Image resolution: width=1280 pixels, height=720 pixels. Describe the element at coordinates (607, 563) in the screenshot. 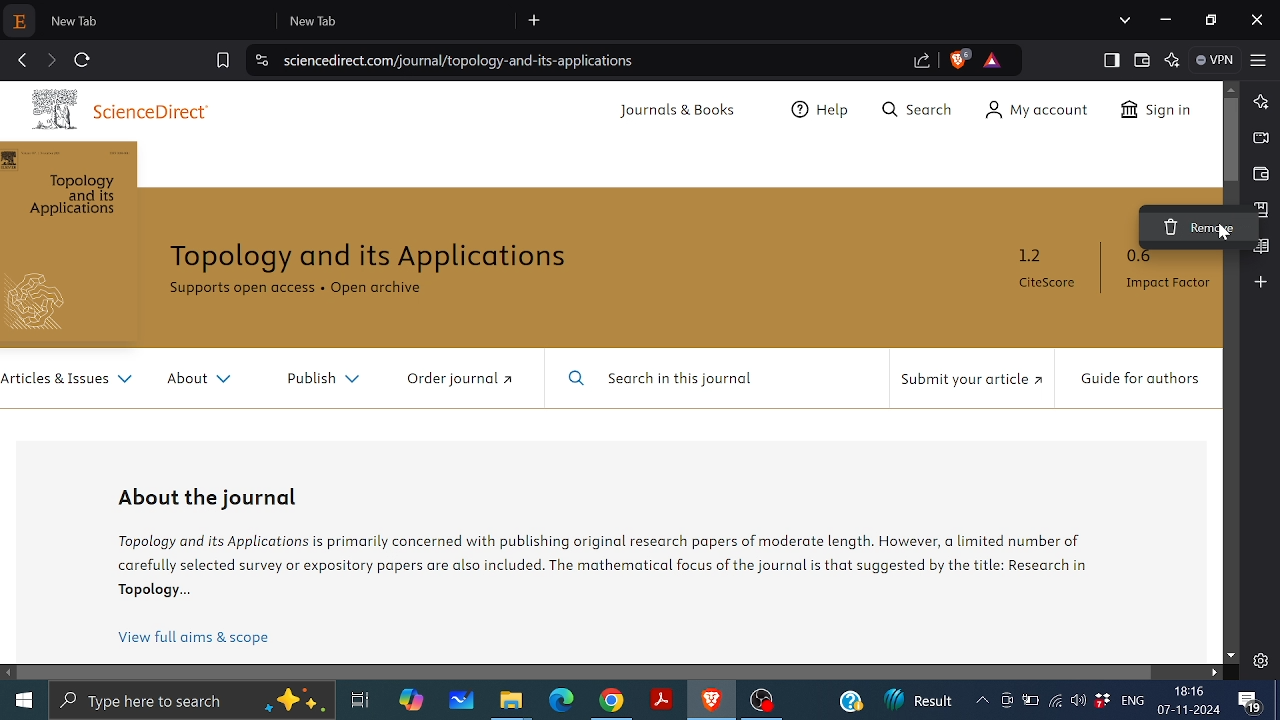

I see `Information on topology` at that location.